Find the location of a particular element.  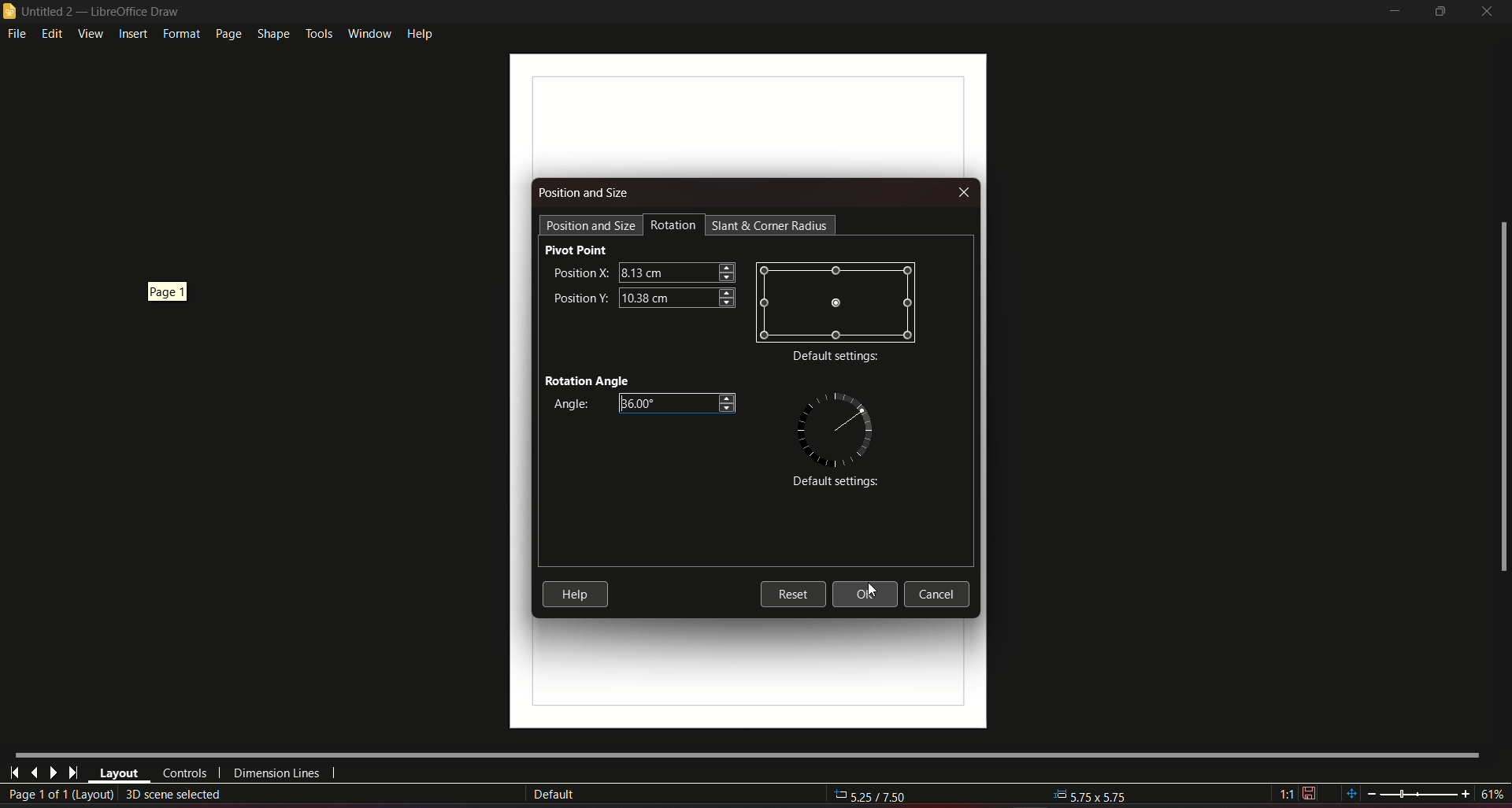

file is located at coordinates (18, 35).